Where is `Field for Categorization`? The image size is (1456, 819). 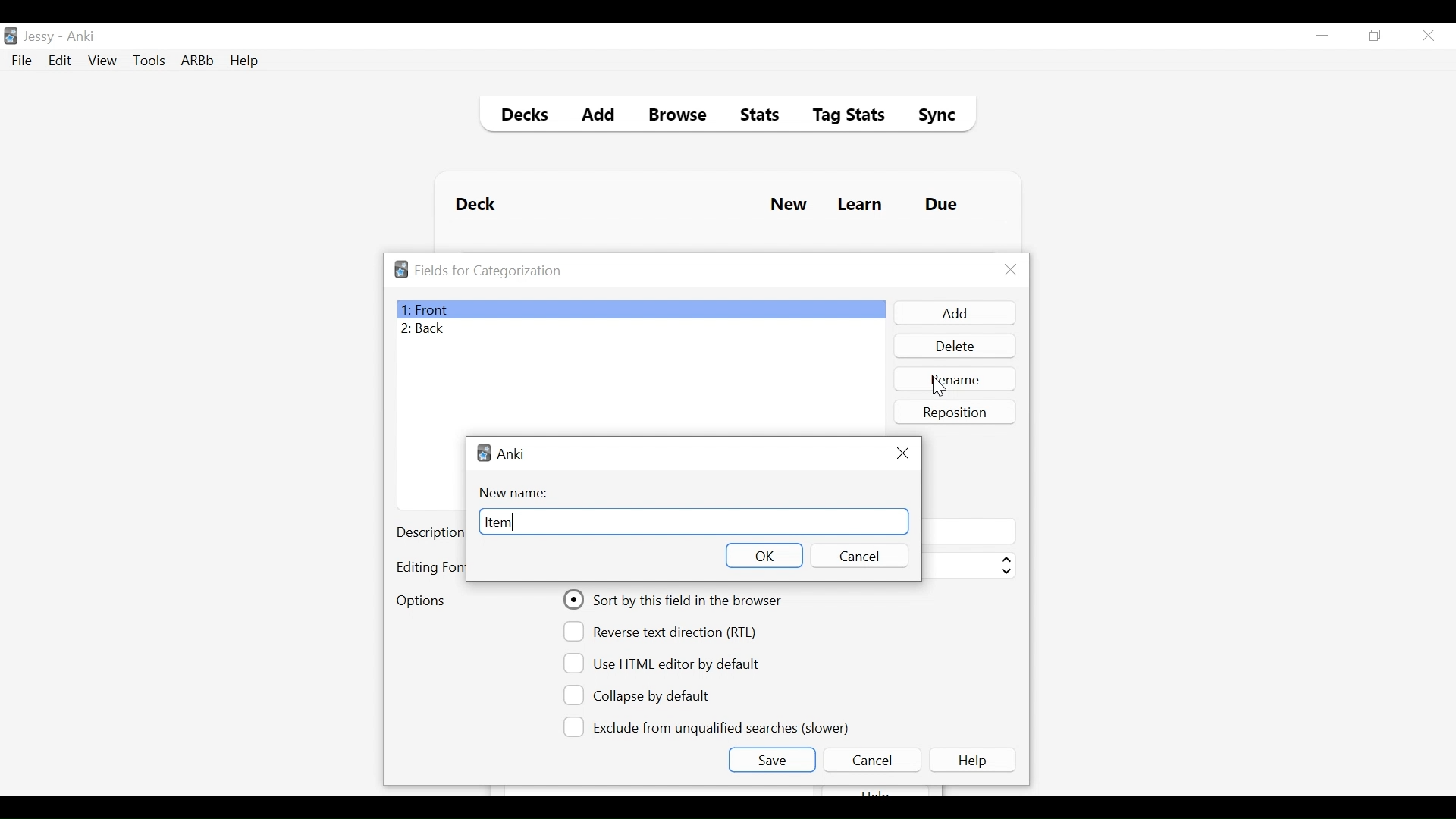 Field for Categorization is located at coordinates (488, 271).